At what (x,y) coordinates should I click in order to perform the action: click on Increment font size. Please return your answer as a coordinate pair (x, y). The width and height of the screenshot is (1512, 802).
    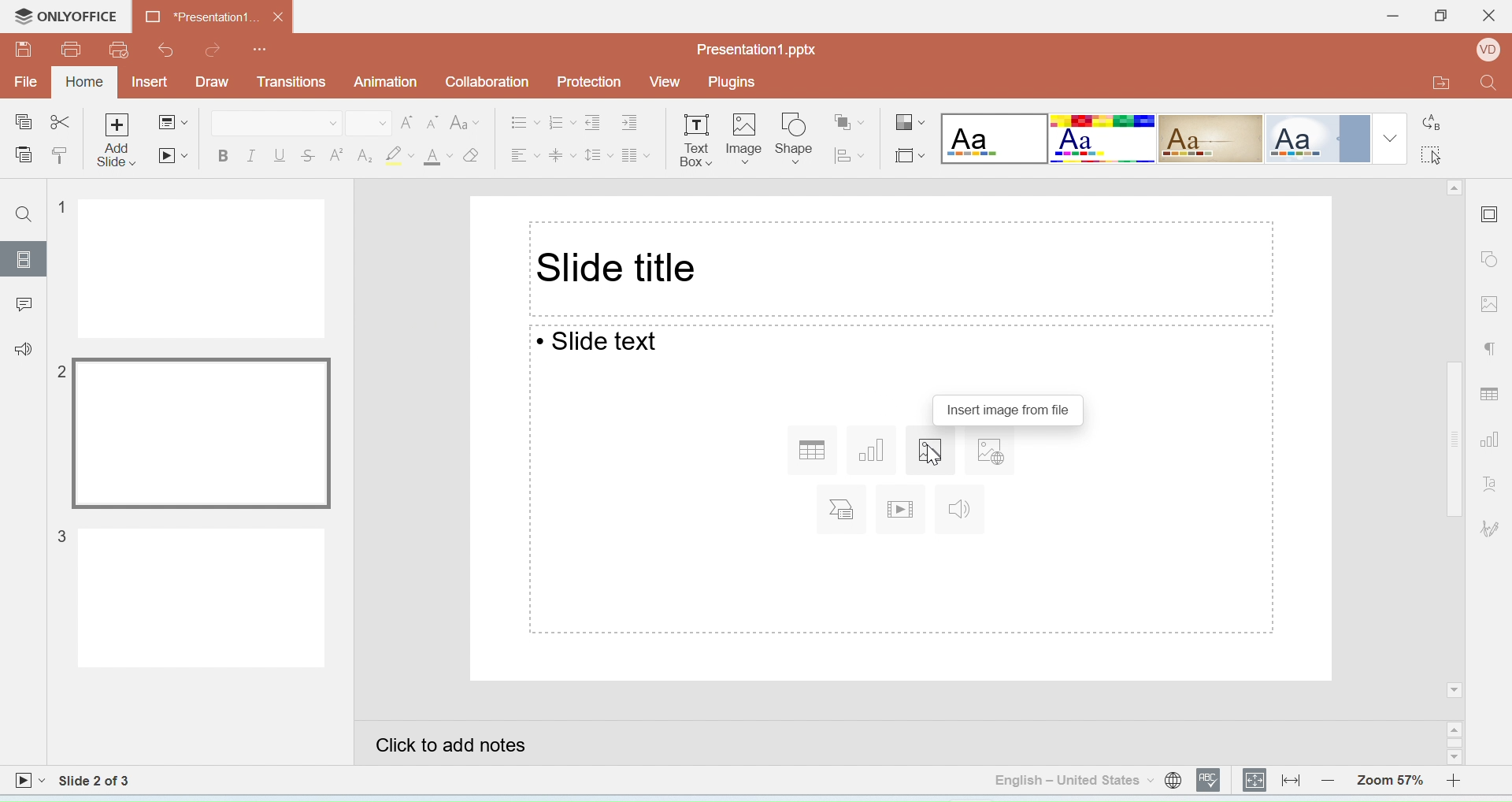
    Looking at the image, I should click on (406, 123).